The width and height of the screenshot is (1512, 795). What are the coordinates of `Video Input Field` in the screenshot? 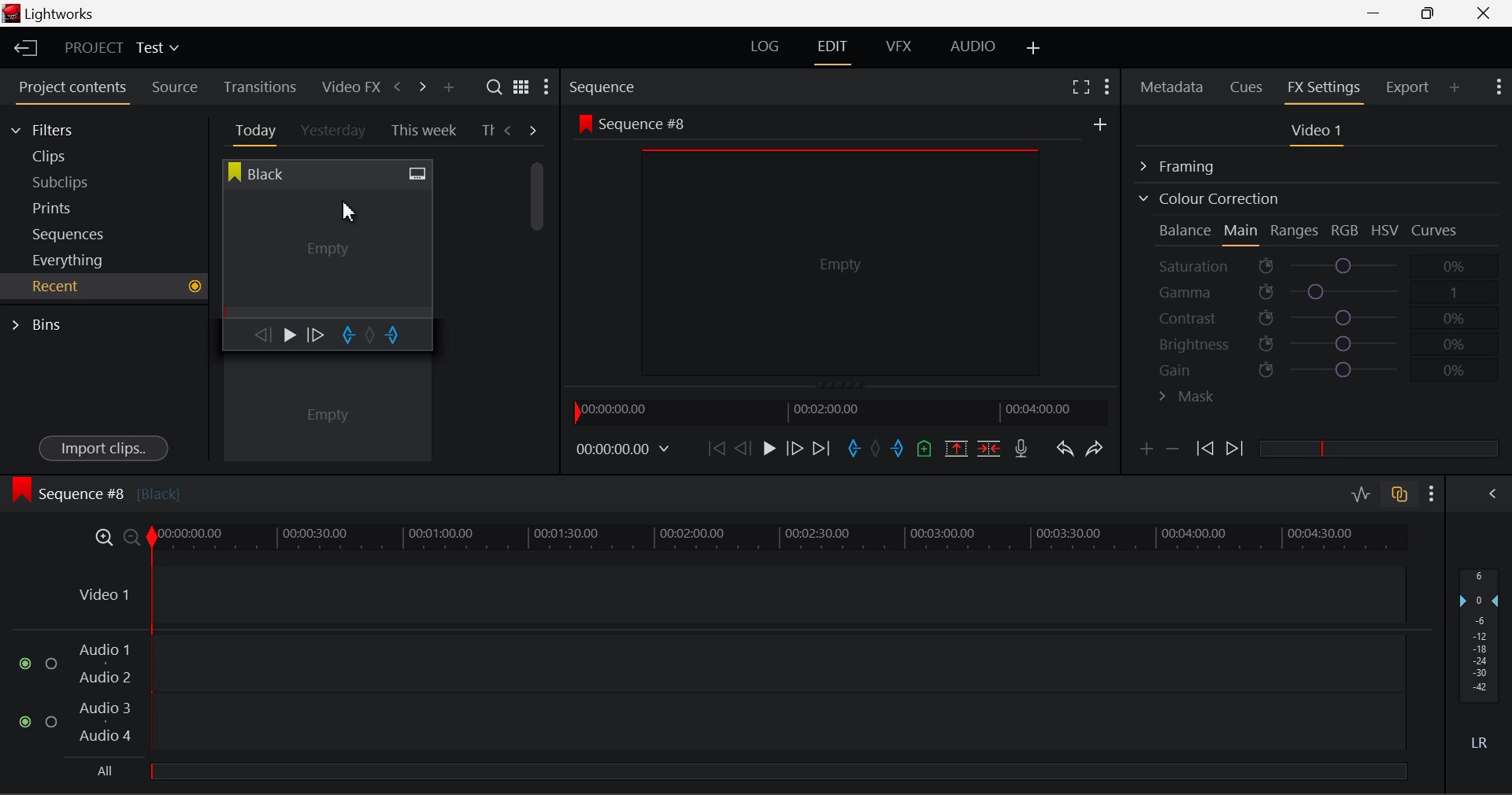 It's located at (737, 595).